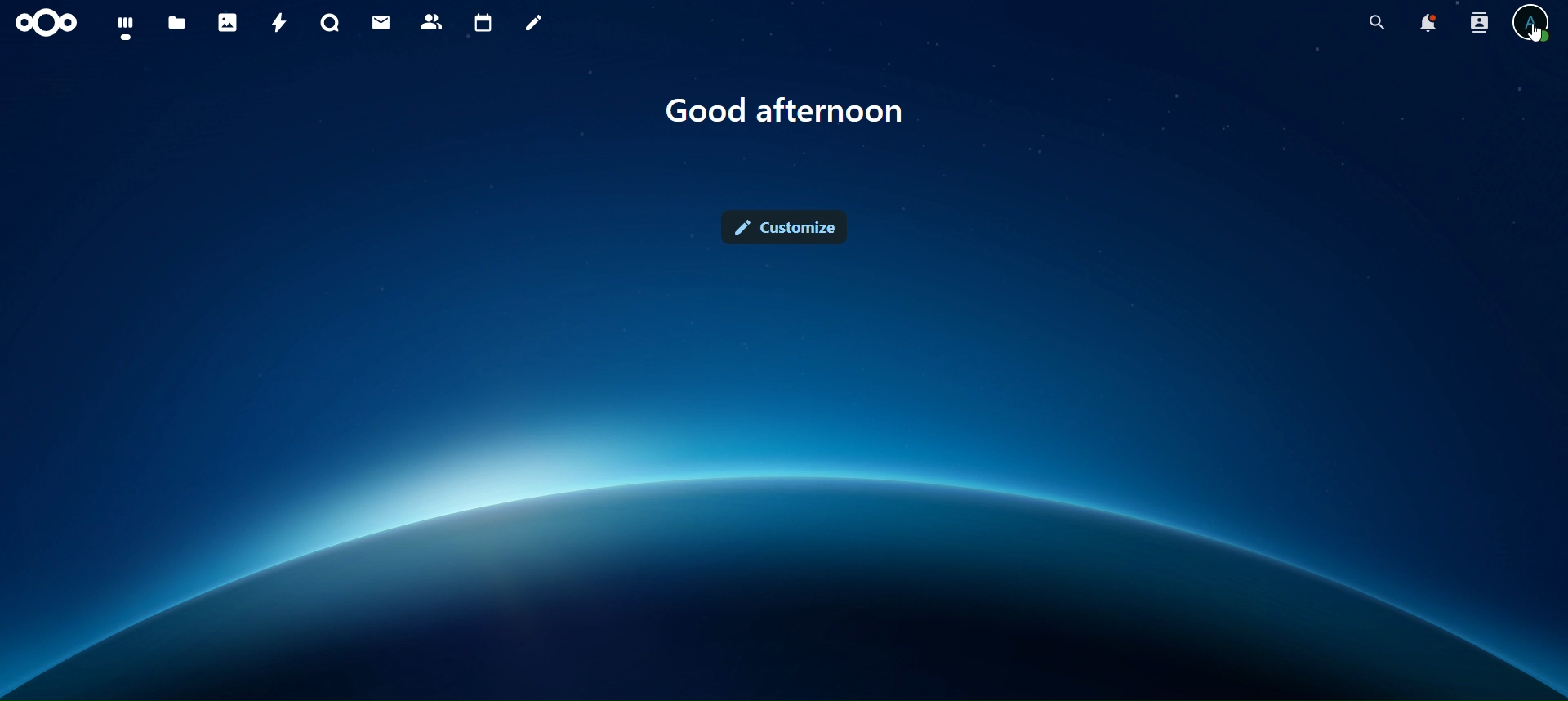  What do you see at coordinates (1375, 23) in the screenshot?
I see `search` at bounding box center [1375, 23].